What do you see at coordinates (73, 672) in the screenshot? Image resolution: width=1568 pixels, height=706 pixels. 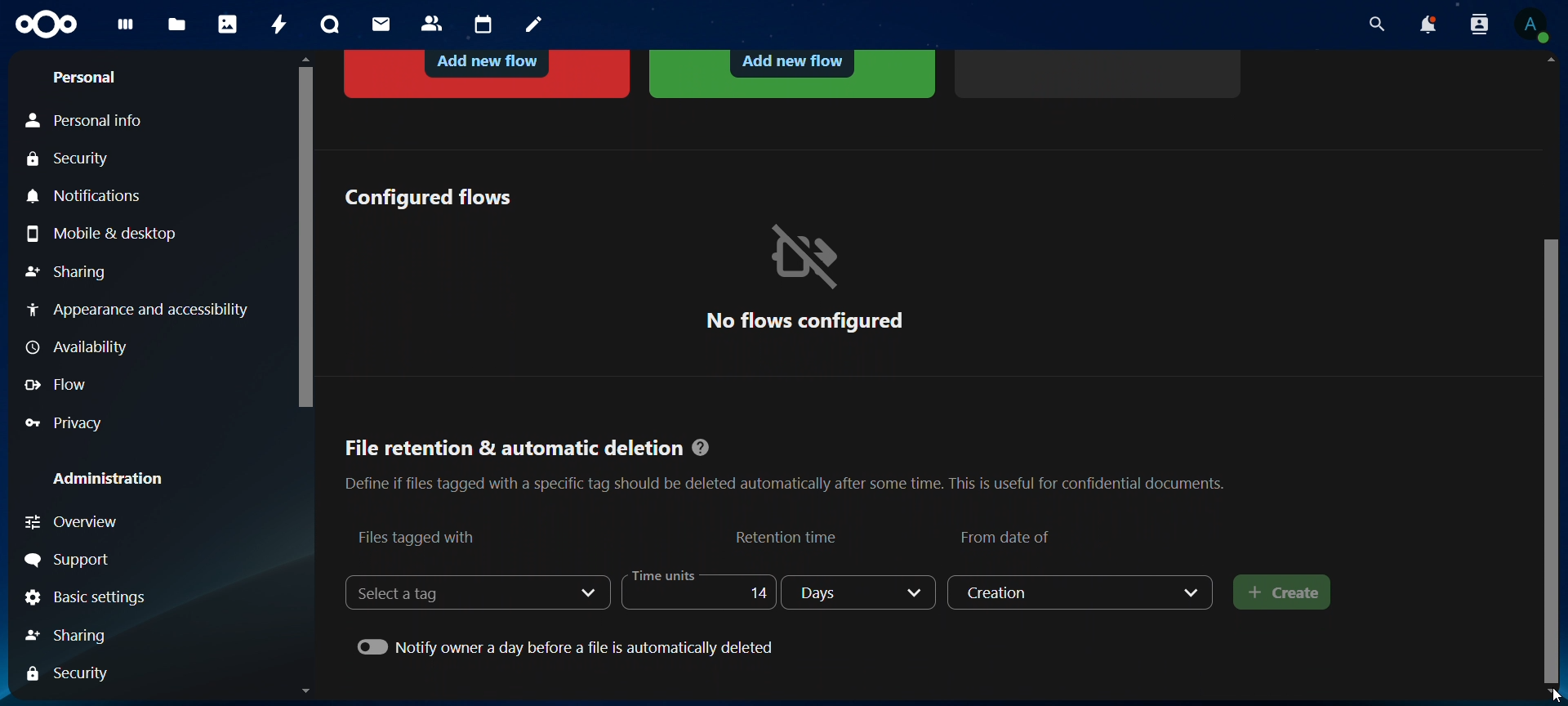 I see `security` at bounding box center [73, 672].